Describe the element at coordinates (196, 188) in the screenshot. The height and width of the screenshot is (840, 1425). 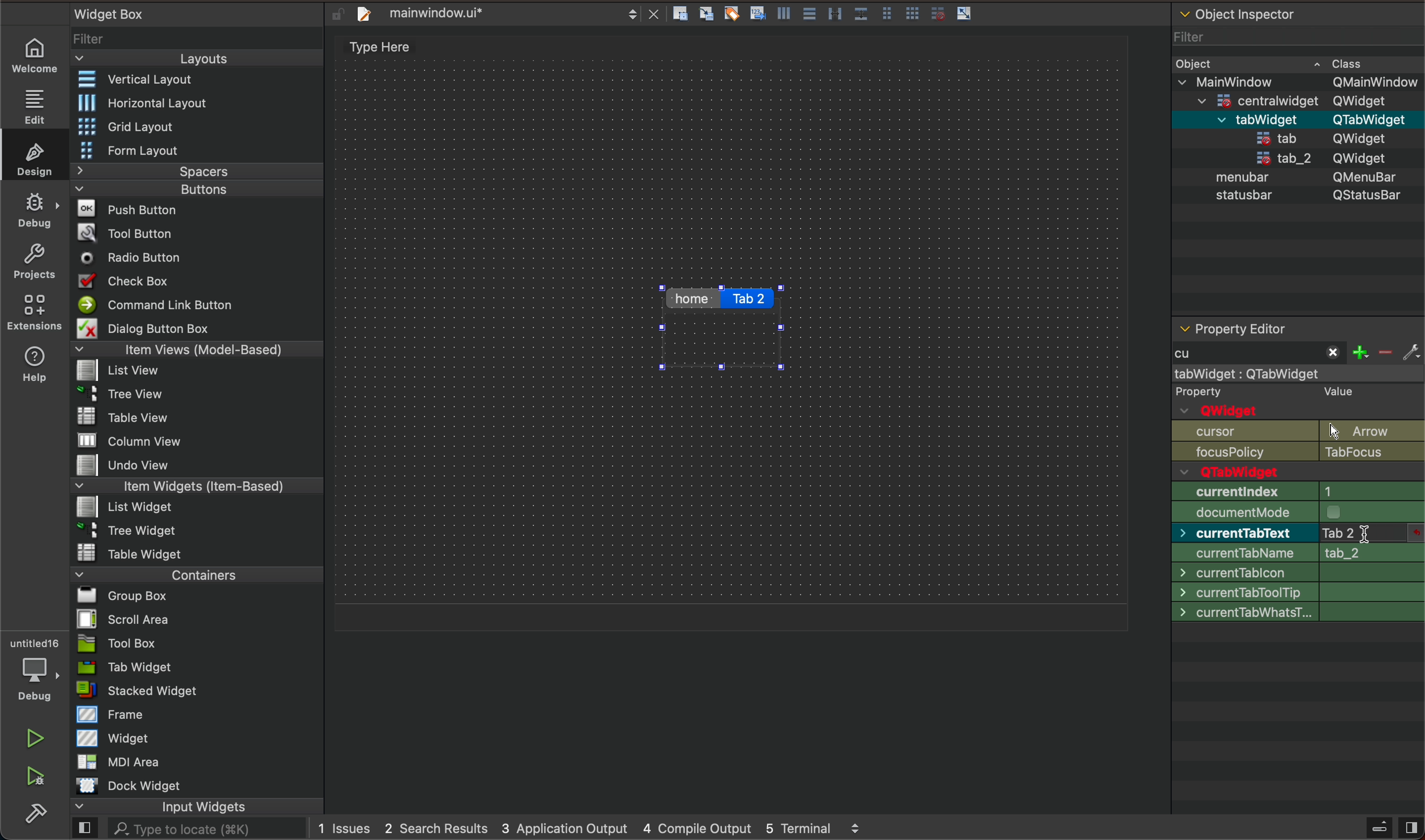
I see `Buttons` at that location.